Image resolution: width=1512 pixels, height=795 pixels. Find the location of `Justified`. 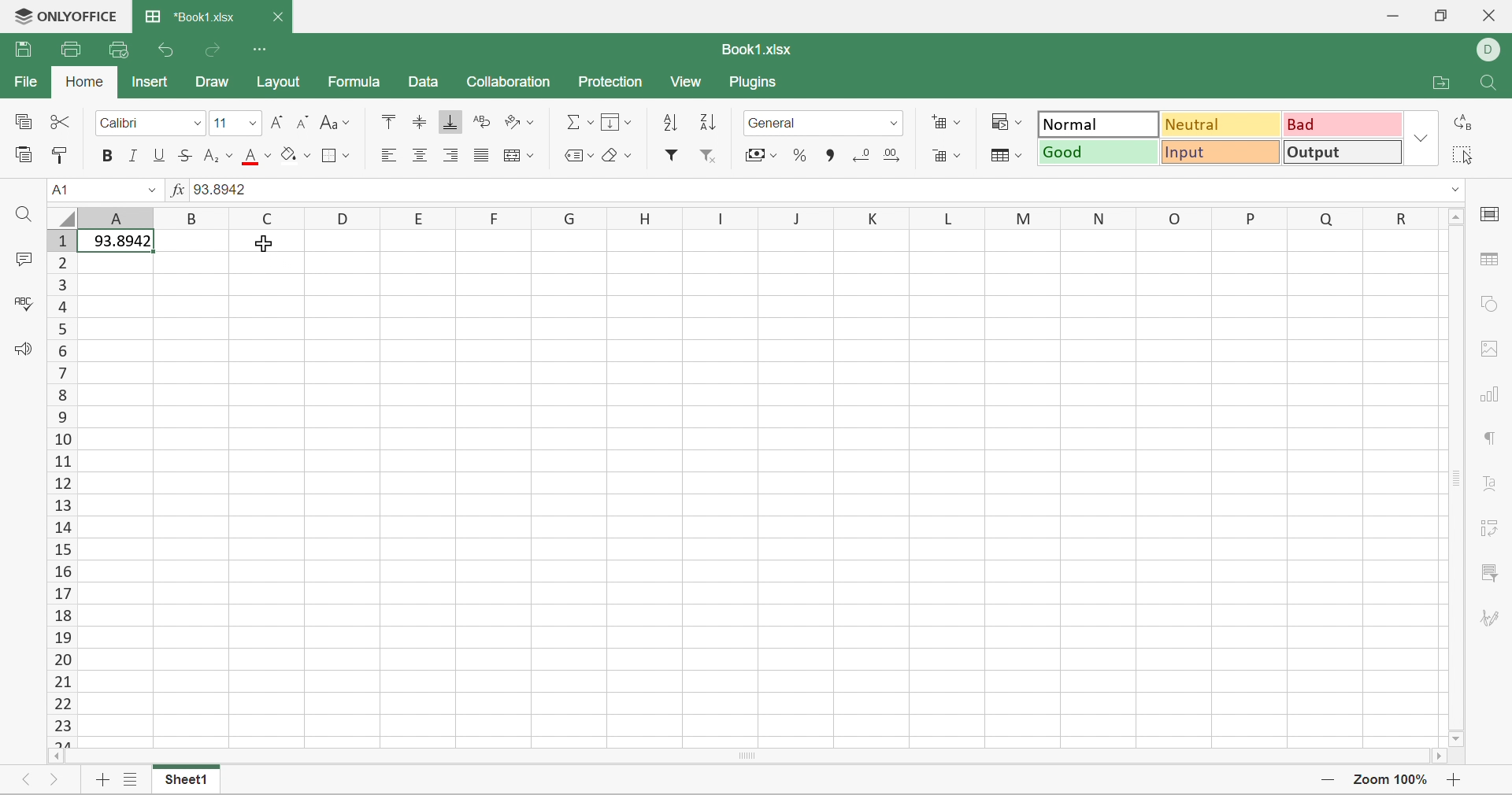

Justified is located at coordinates (480, 157).